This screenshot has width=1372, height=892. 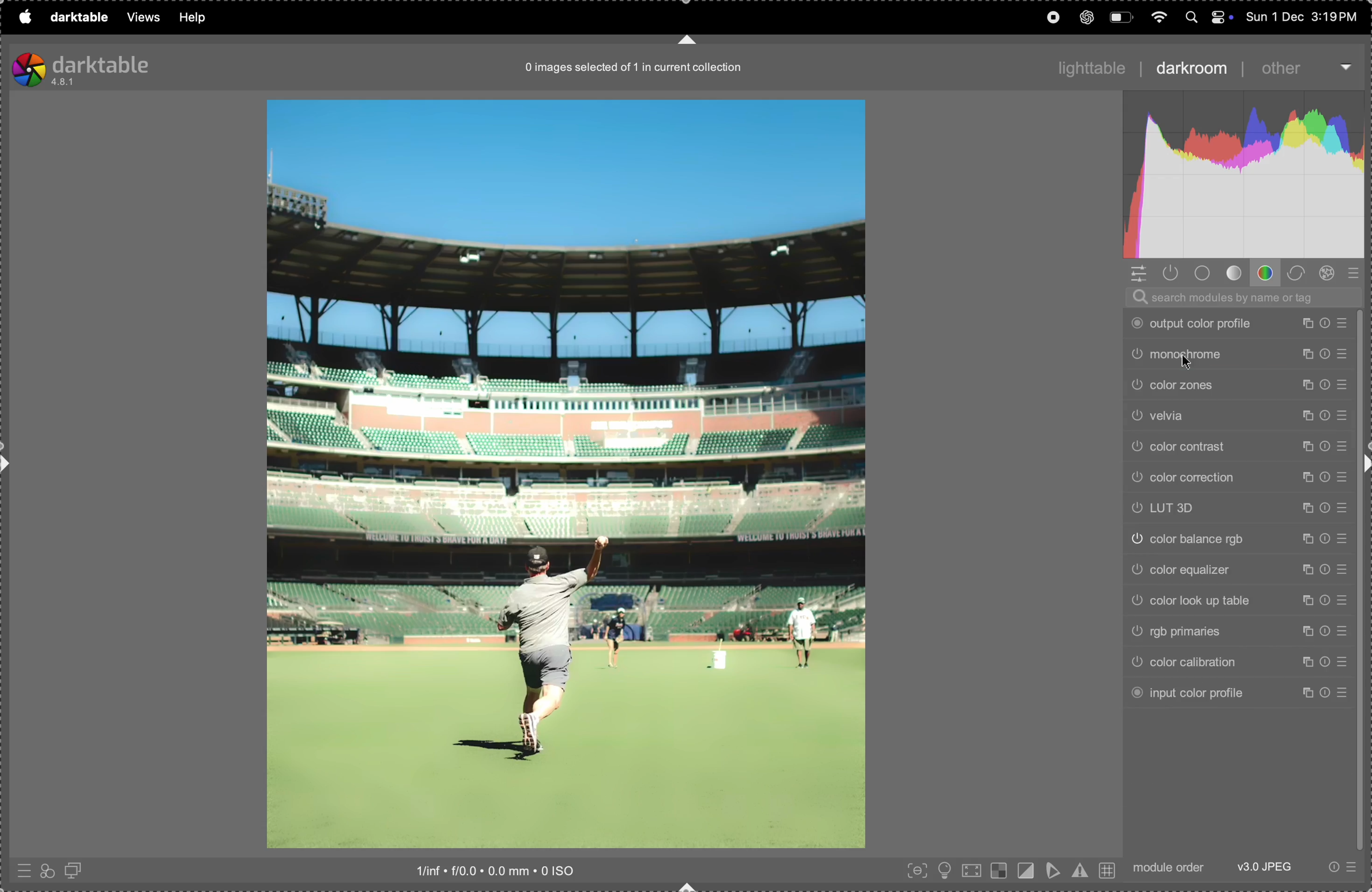 I want to click on image collection, so click(x=627, y=71).